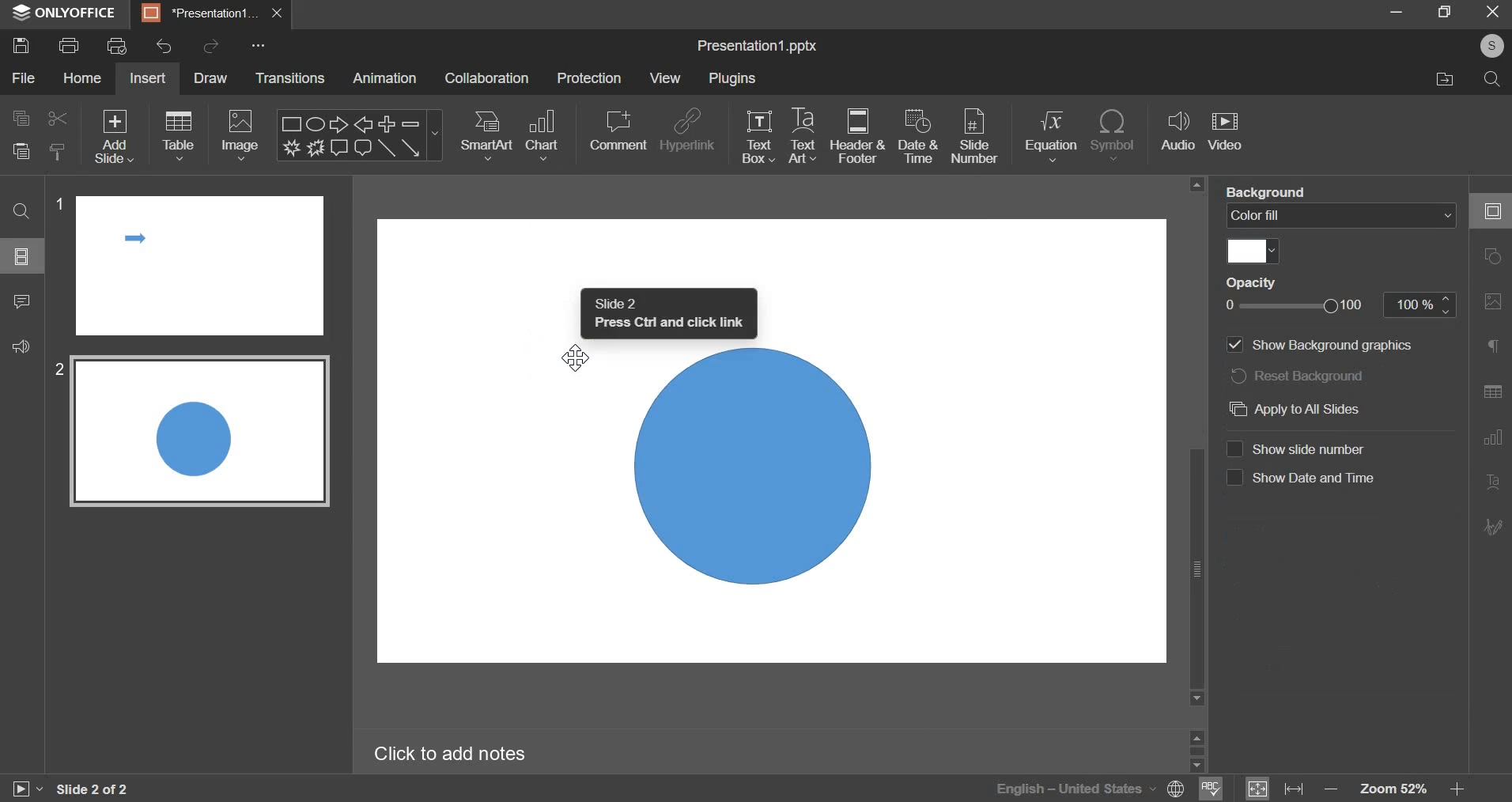 The image size is (1512, 802). What do you see at coordinates (385, 78) in the screenshot?
I see `animation` at bounding box center [385, 78].